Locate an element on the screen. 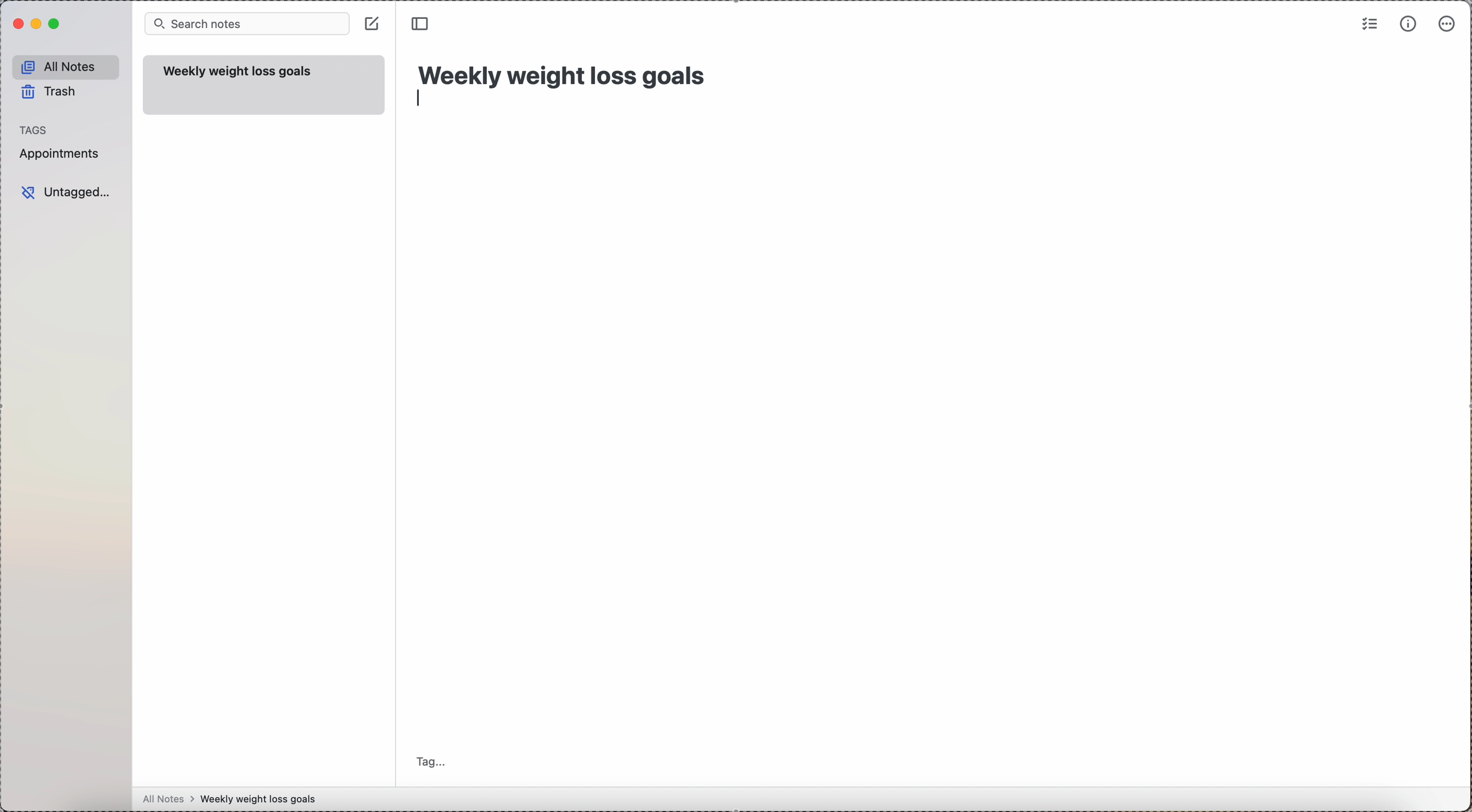 Image resolution: width=1472 pixels, height=812 pixels. tags is located at coordinates (35, 130).